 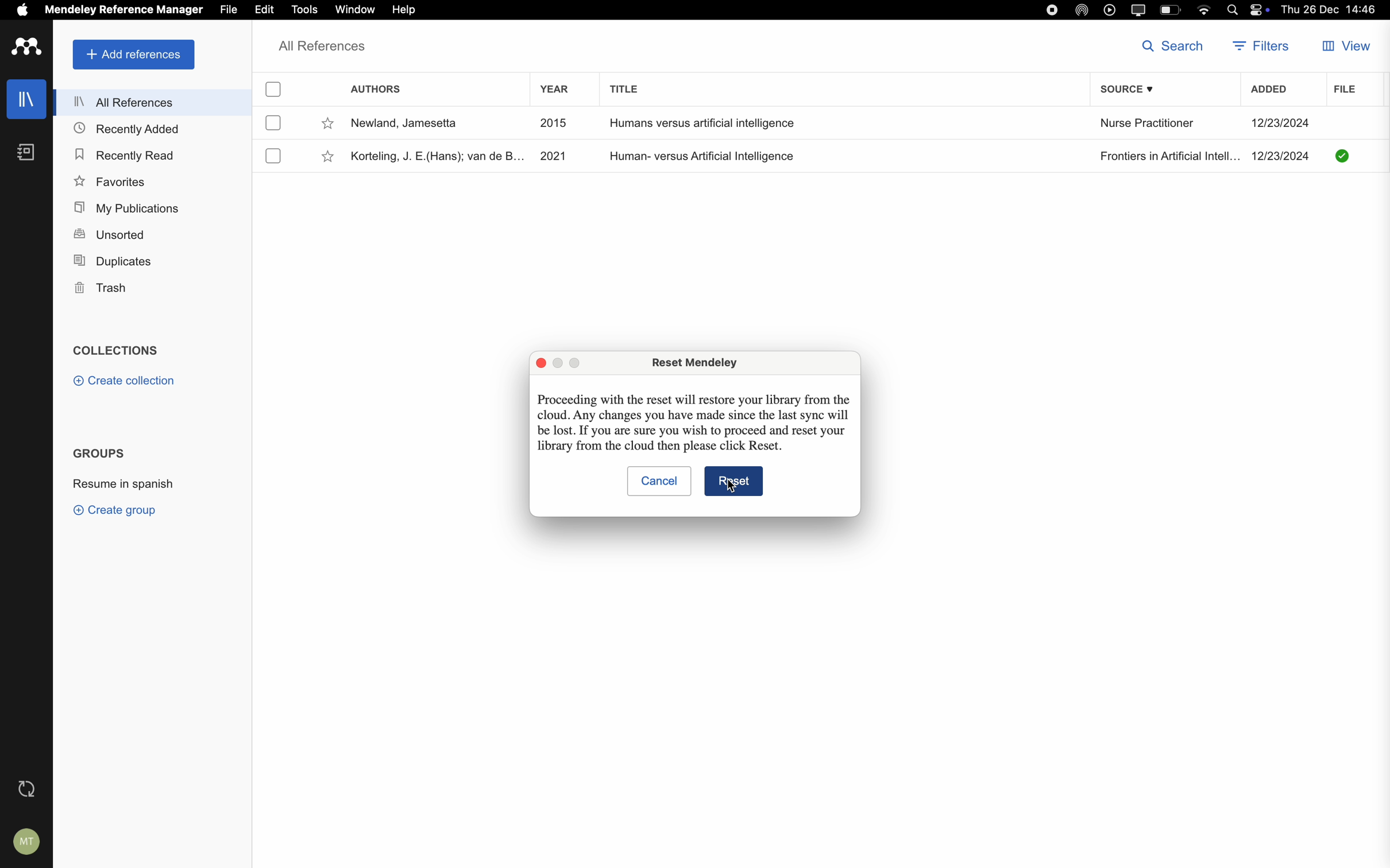 What do you see at coordinates (1270, 90) in the screenshot?
I see `added` at bounding box center [1270, 90].